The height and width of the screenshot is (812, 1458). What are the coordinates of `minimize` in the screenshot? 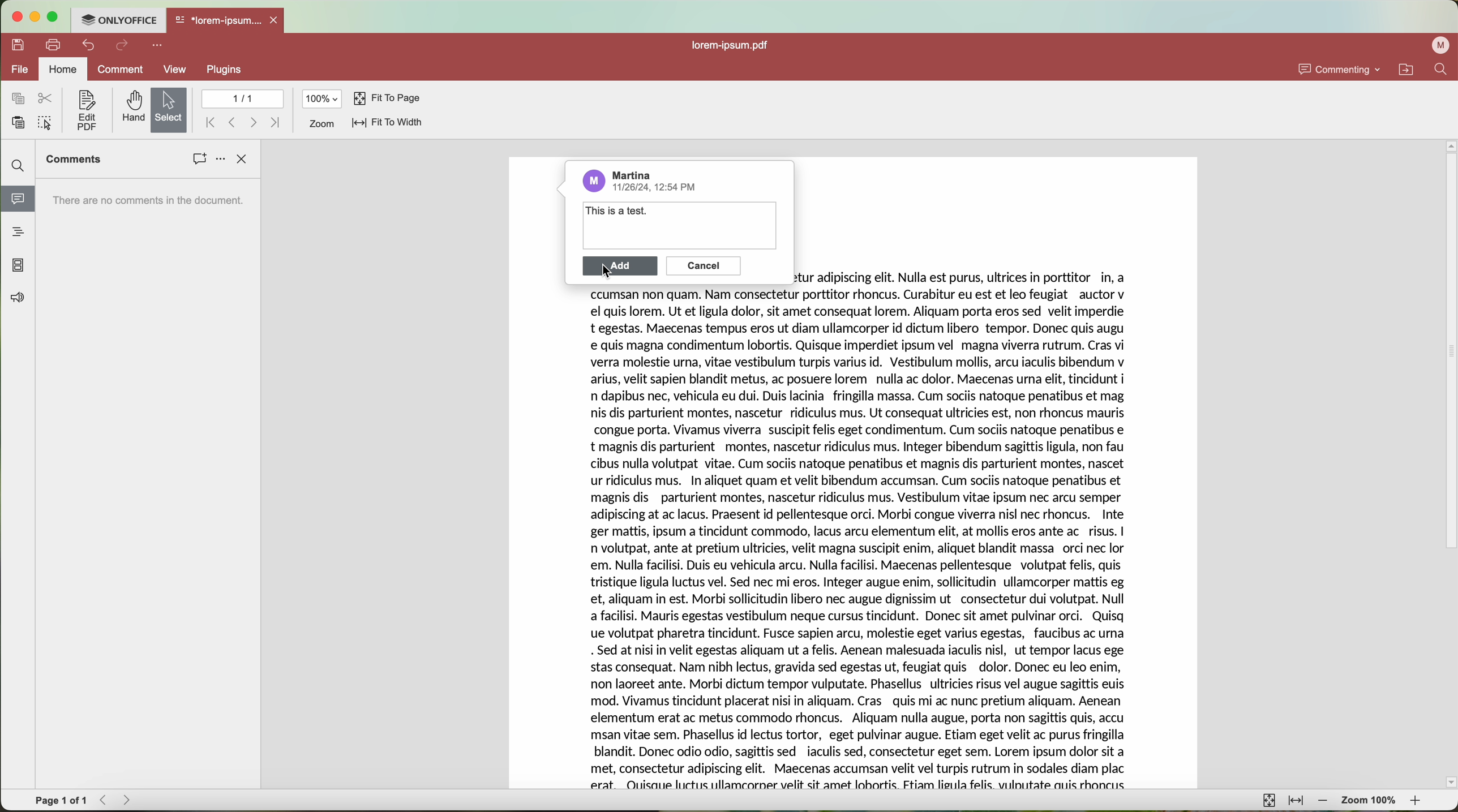 It's located at (33, 18).